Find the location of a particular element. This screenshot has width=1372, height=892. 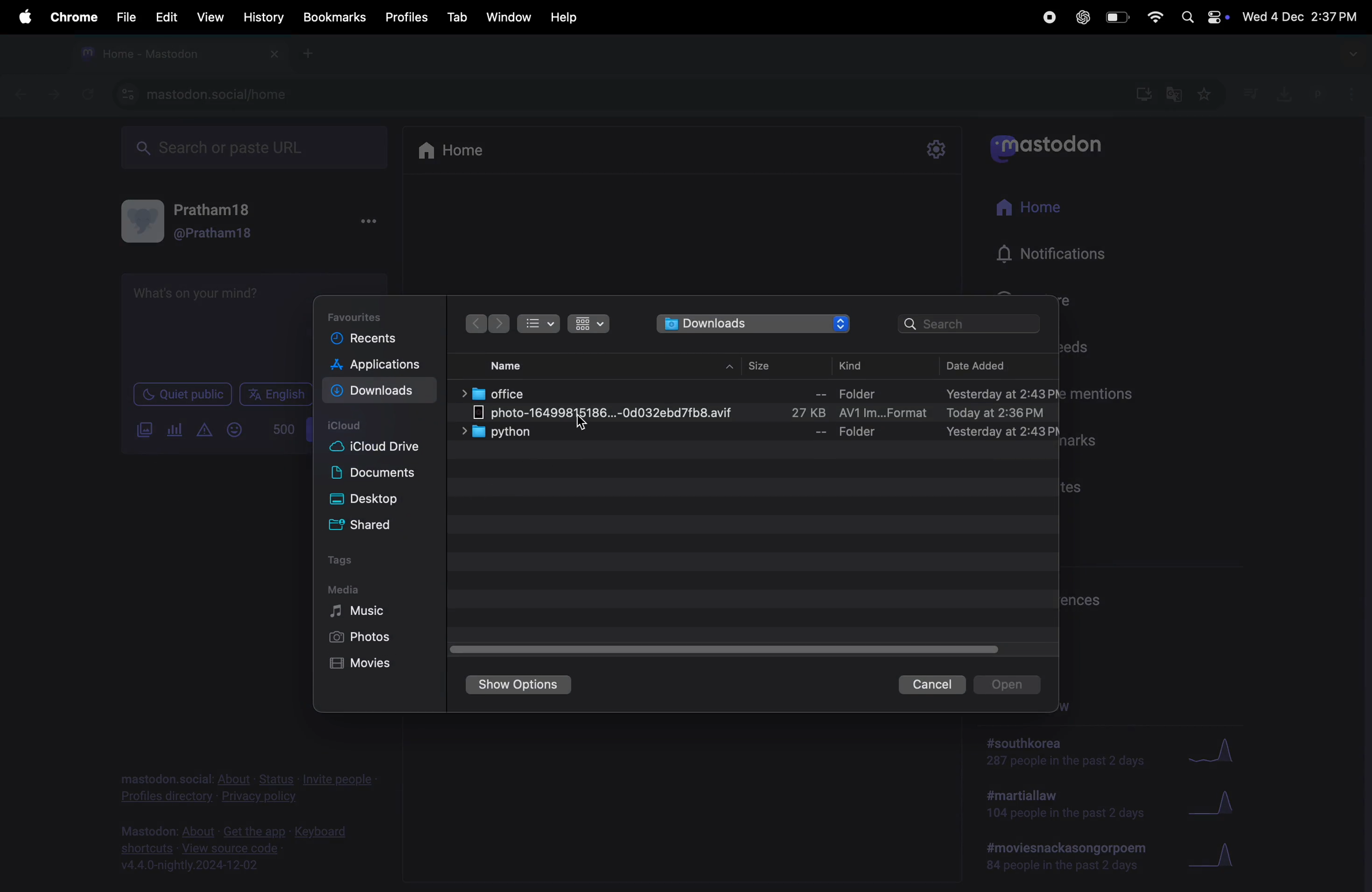

home is located at coordinates (1032, 209).